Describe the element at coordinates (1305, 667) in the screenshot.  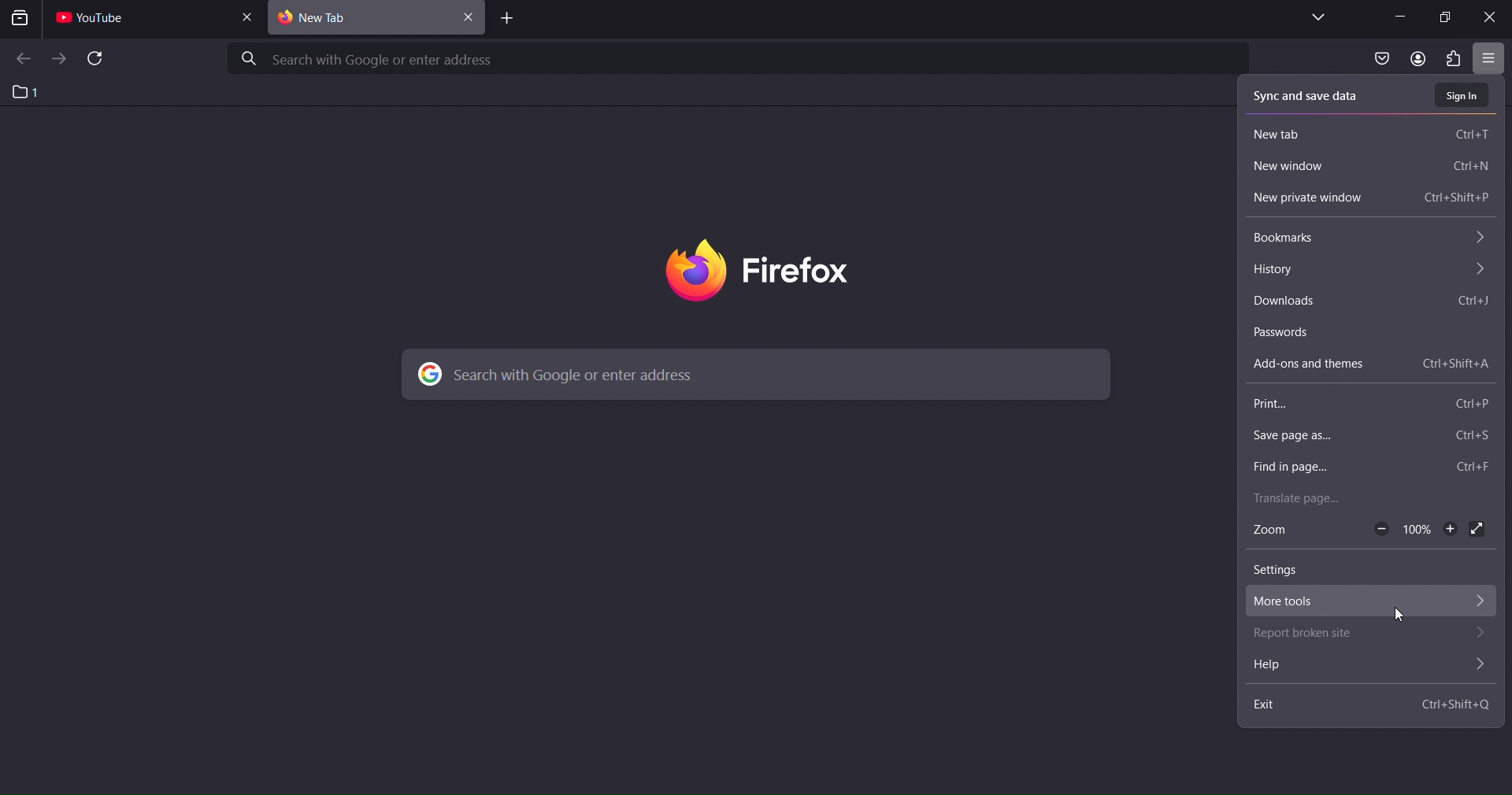
I see `help` at that location.